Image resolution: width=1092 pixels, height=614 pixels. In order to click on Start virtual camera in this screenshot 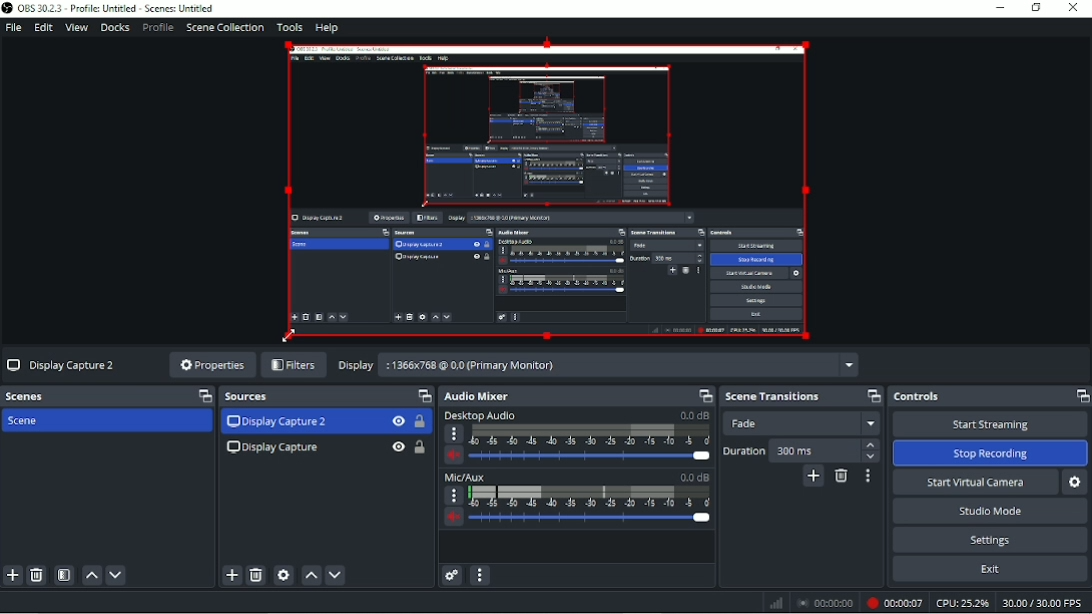, I will do `click(975, 482)`.